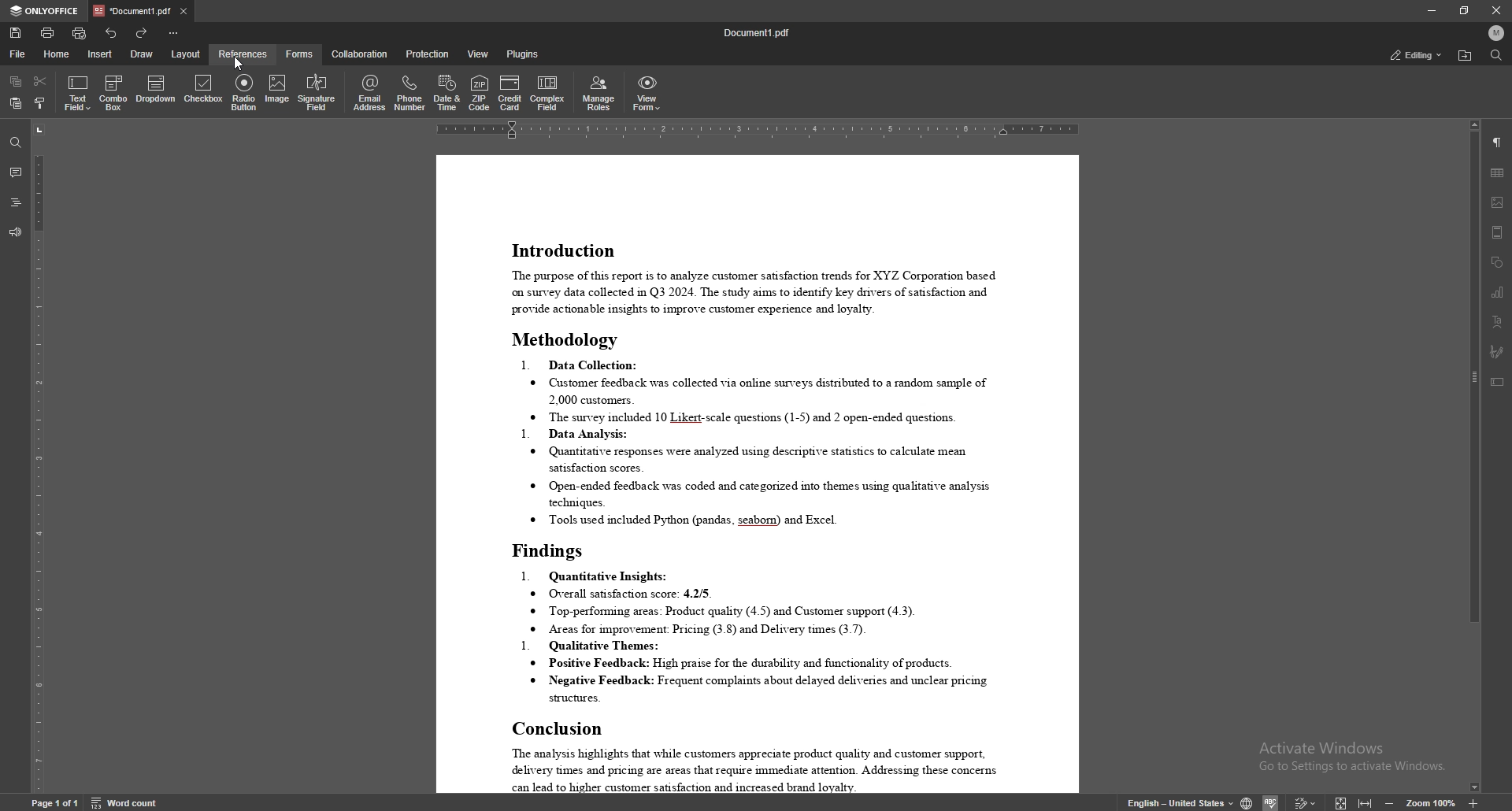 Image resolution: width=1512 pixels, height=811 pixels. Describe the element at coordinates (187, 54) in the screenshot. I see `layout` at that location.